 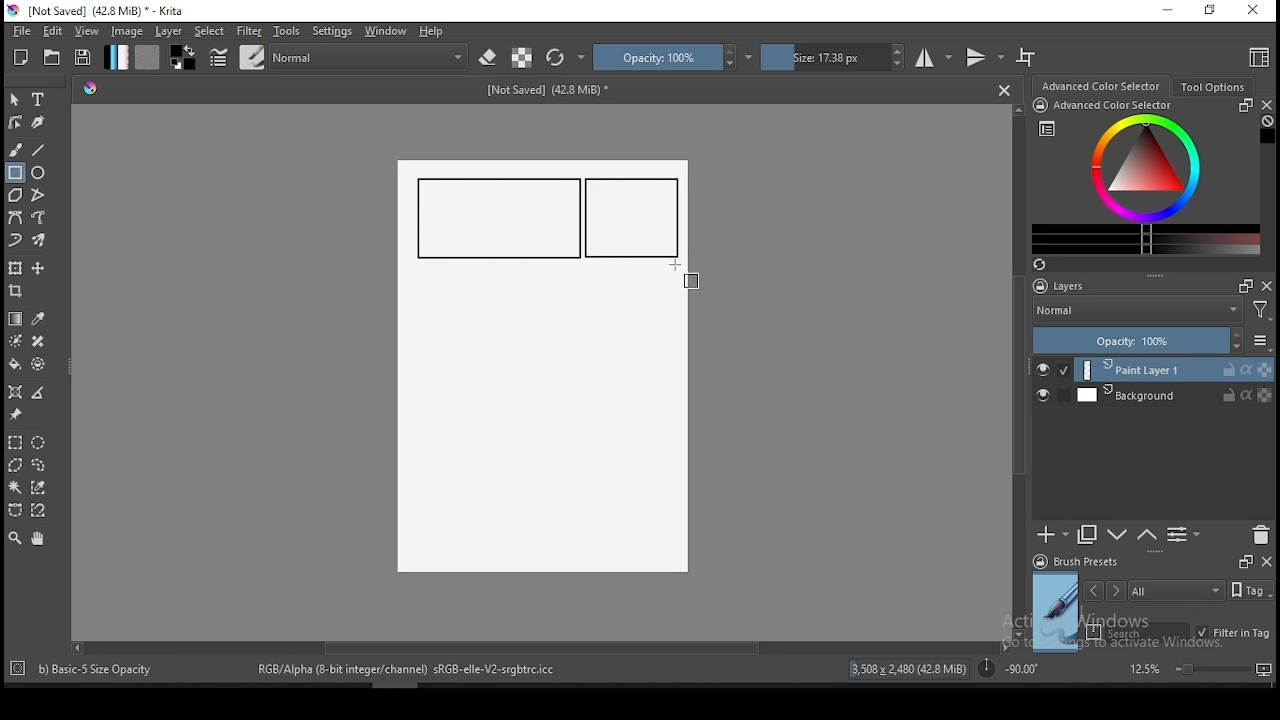 What do you see at coordinates (1103, 85) in the screenshot?
I see `advance color selector` at bounding box center [1103, 85].